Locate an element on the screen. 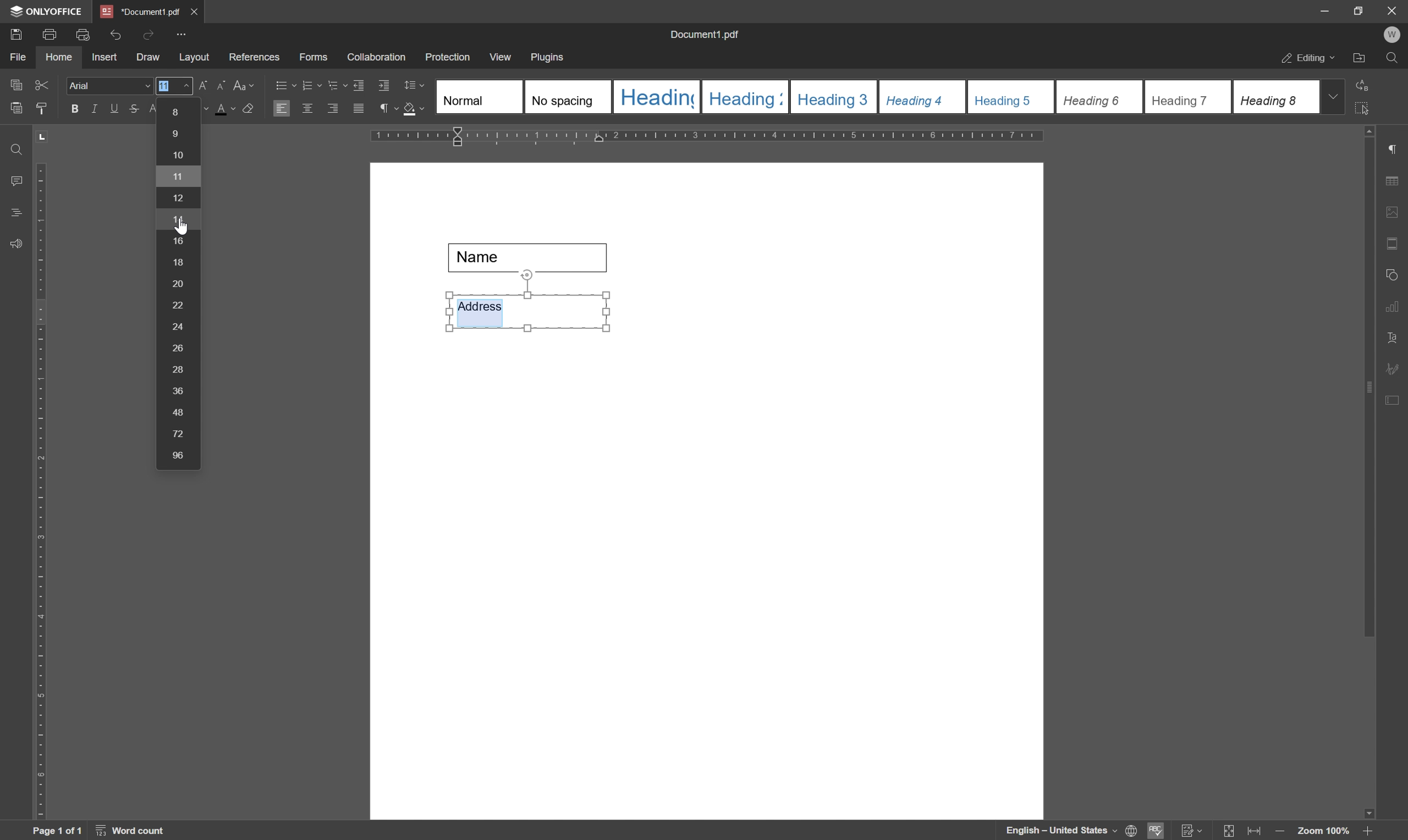  font size is located at coordinates (164, 85).